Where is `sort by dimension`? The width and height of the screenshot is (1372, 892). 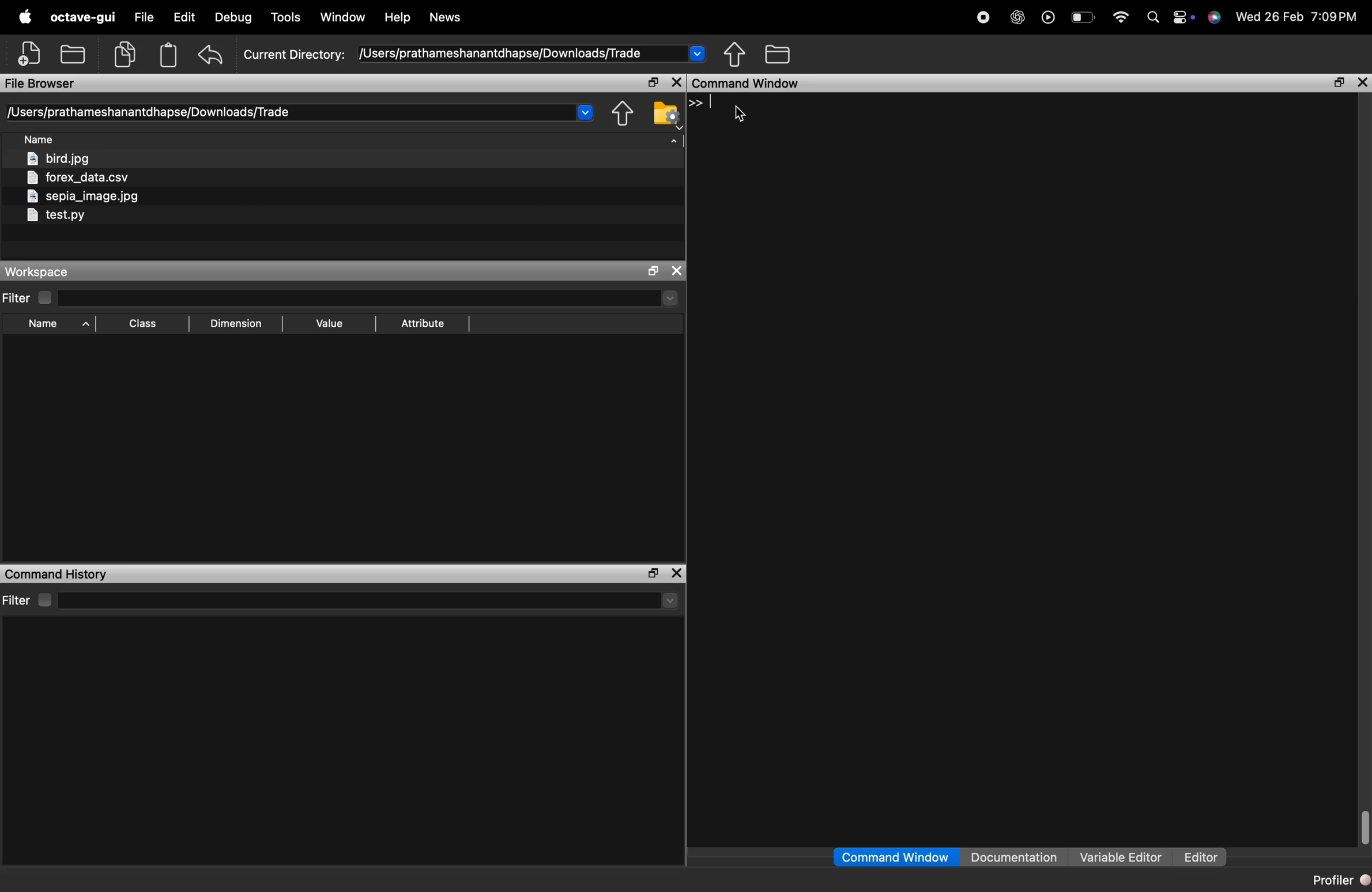
sort by dimension is located at coordinates (236, 324).